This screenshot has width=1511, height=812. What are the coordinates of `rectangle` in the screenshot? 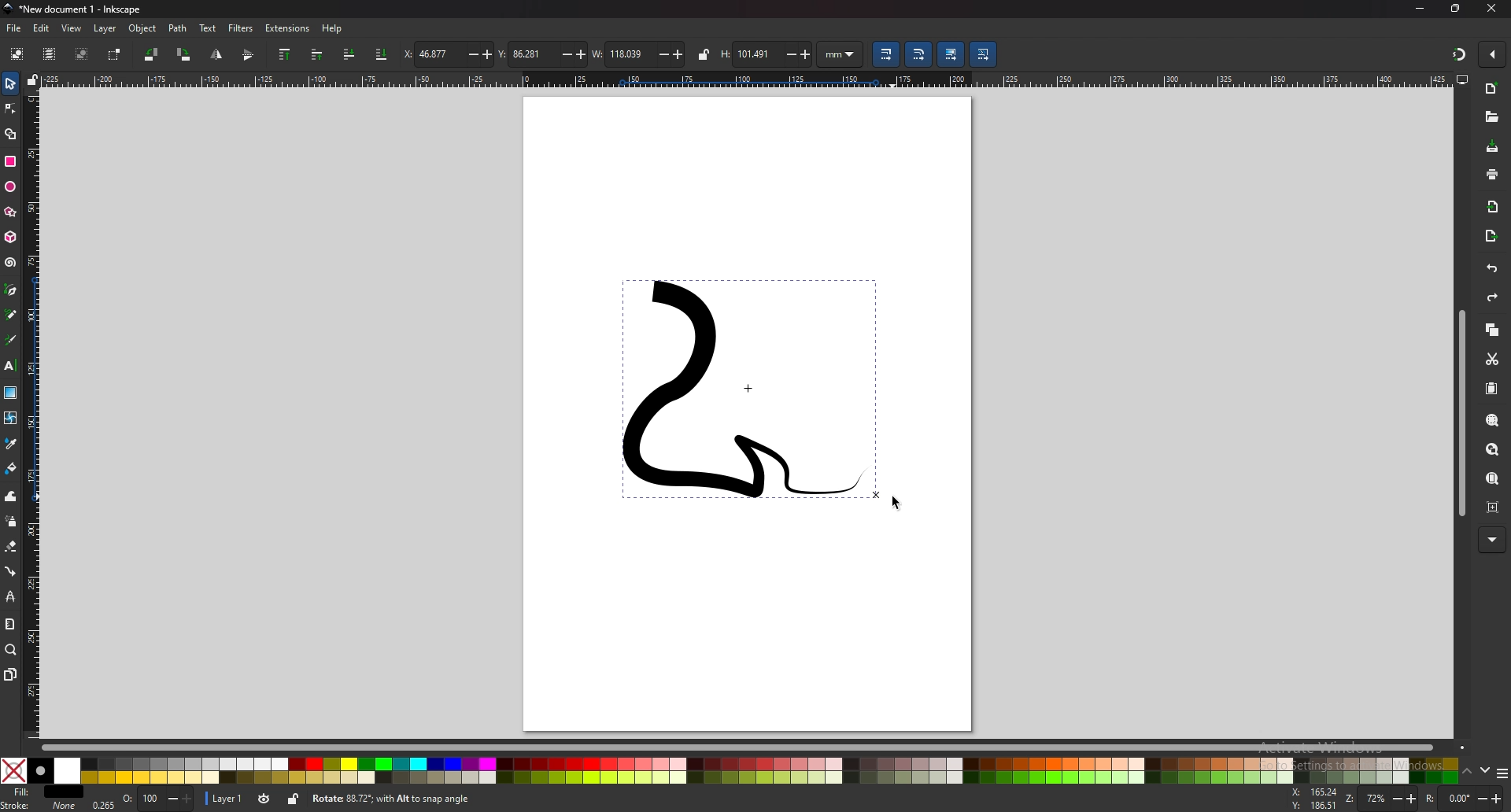 It's located at (10, 161).